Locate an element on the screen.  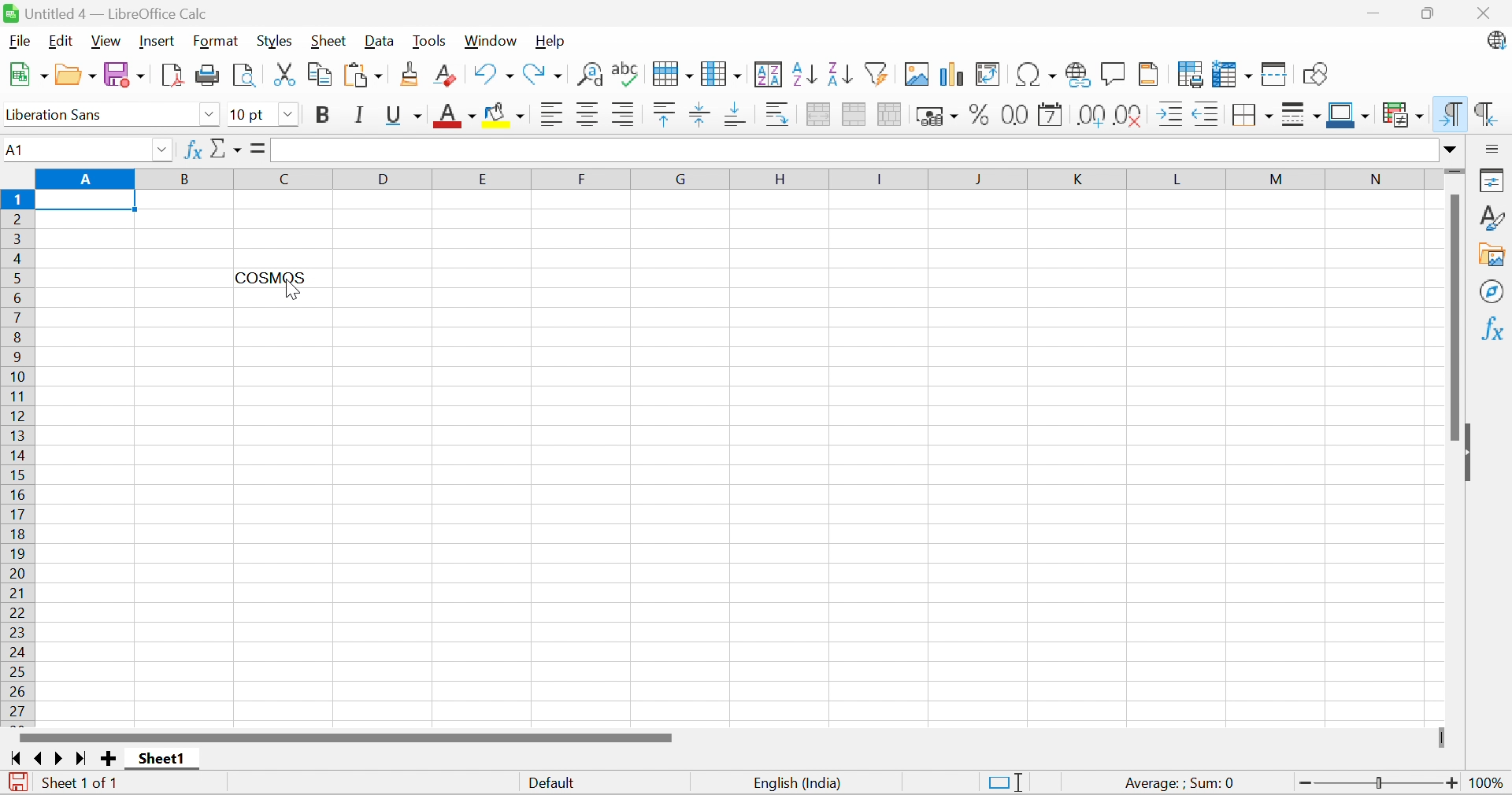
Scroll To Next Sheet is located at coordinates (61, 759).